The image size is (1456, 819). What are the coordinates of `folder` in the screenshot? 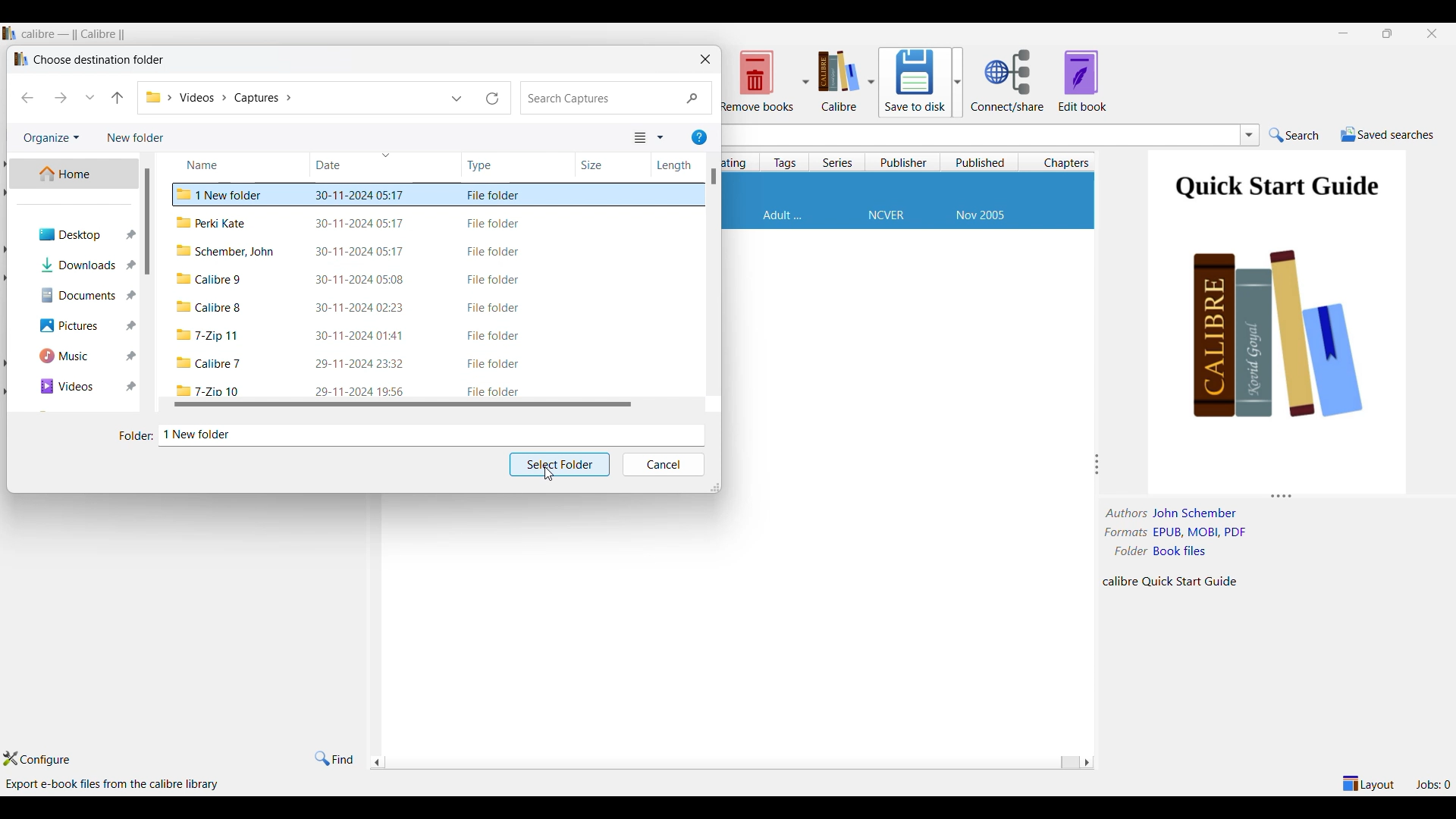 It's located at (209, 278).